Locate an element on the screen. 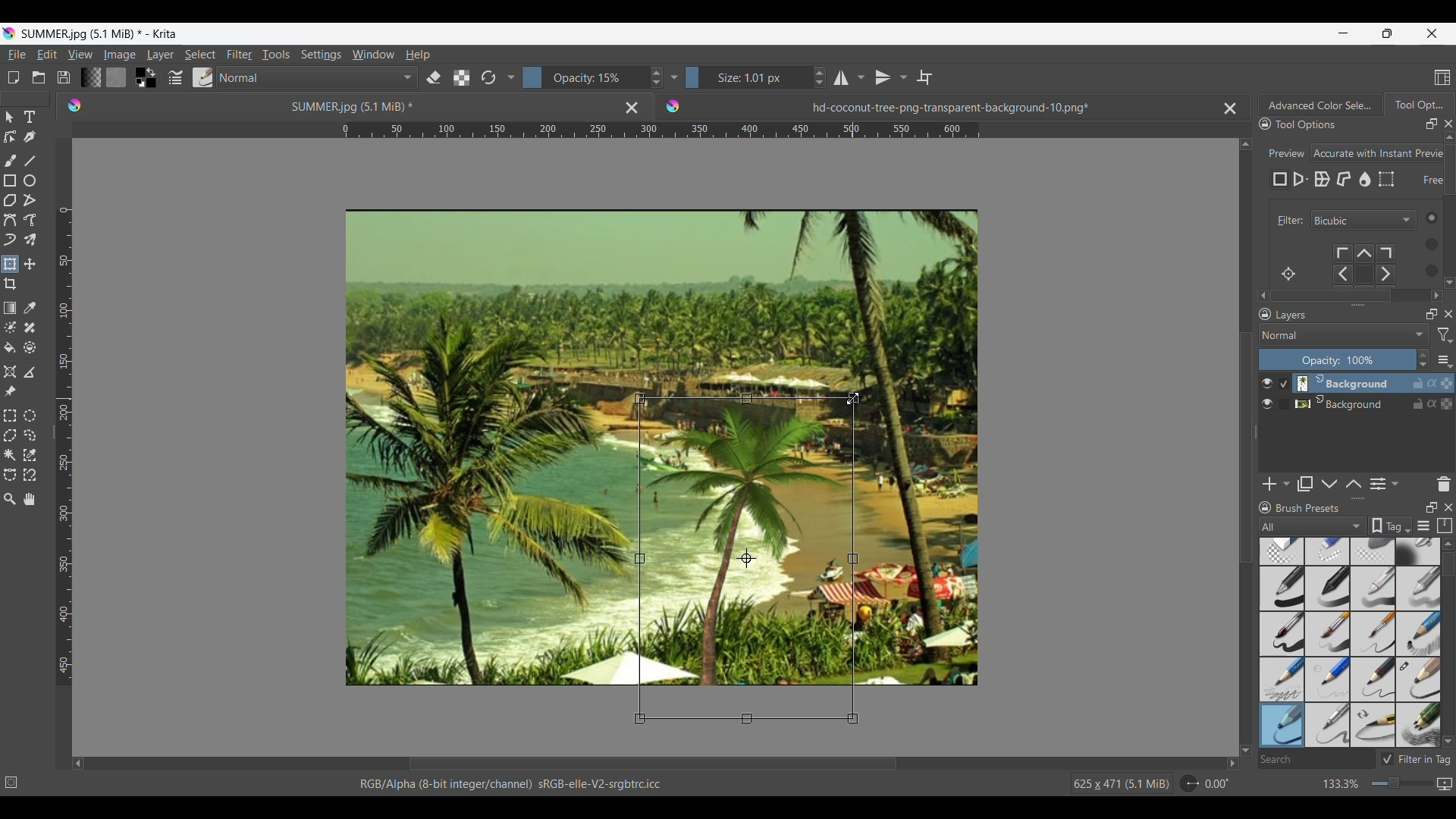 The image size is (1456, 819). Edit layer property options is located at coordinates (1395, 484).